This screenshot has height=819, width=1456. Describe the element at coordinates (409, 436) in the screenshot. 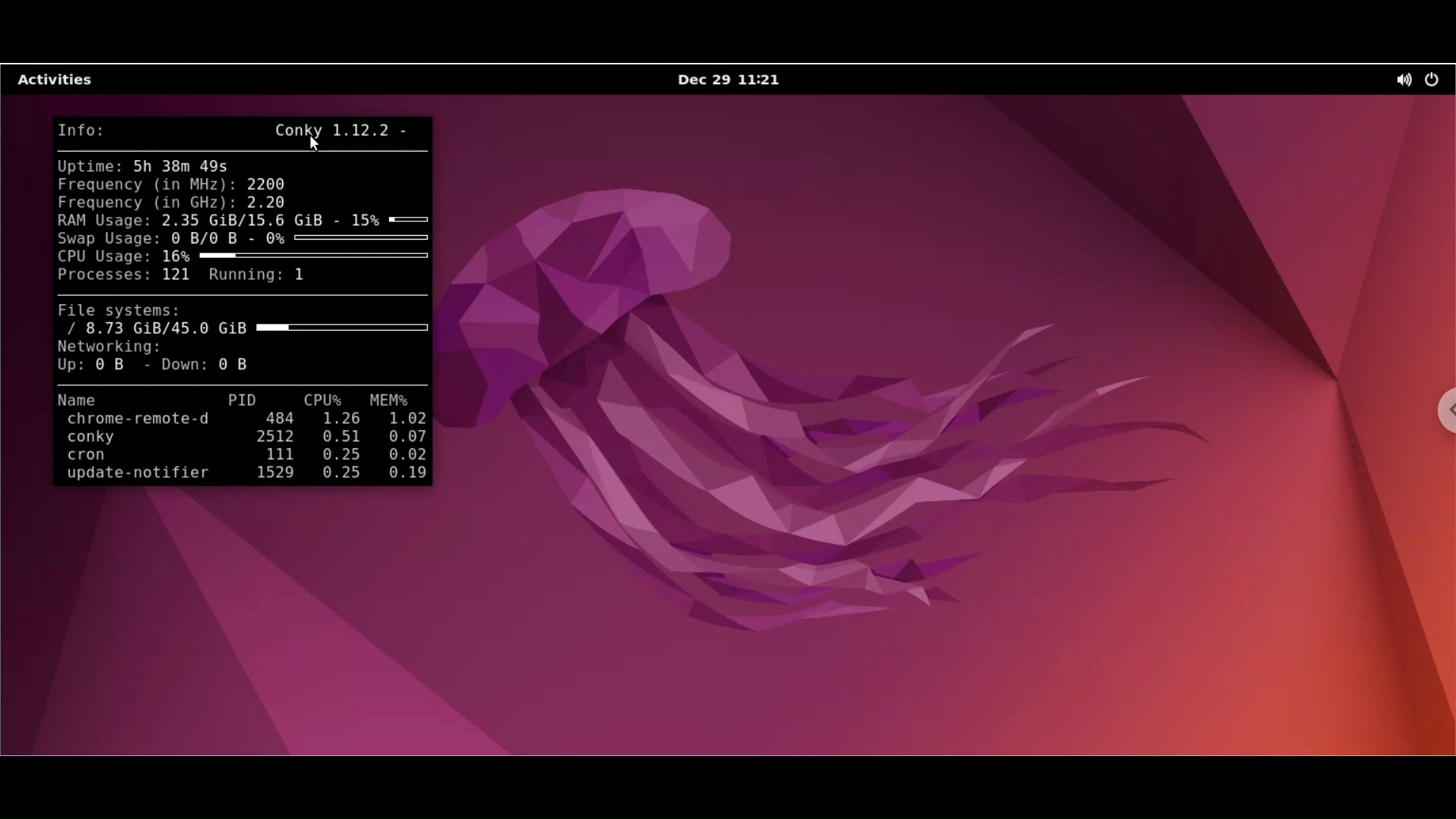

I see `0.07` at that location.